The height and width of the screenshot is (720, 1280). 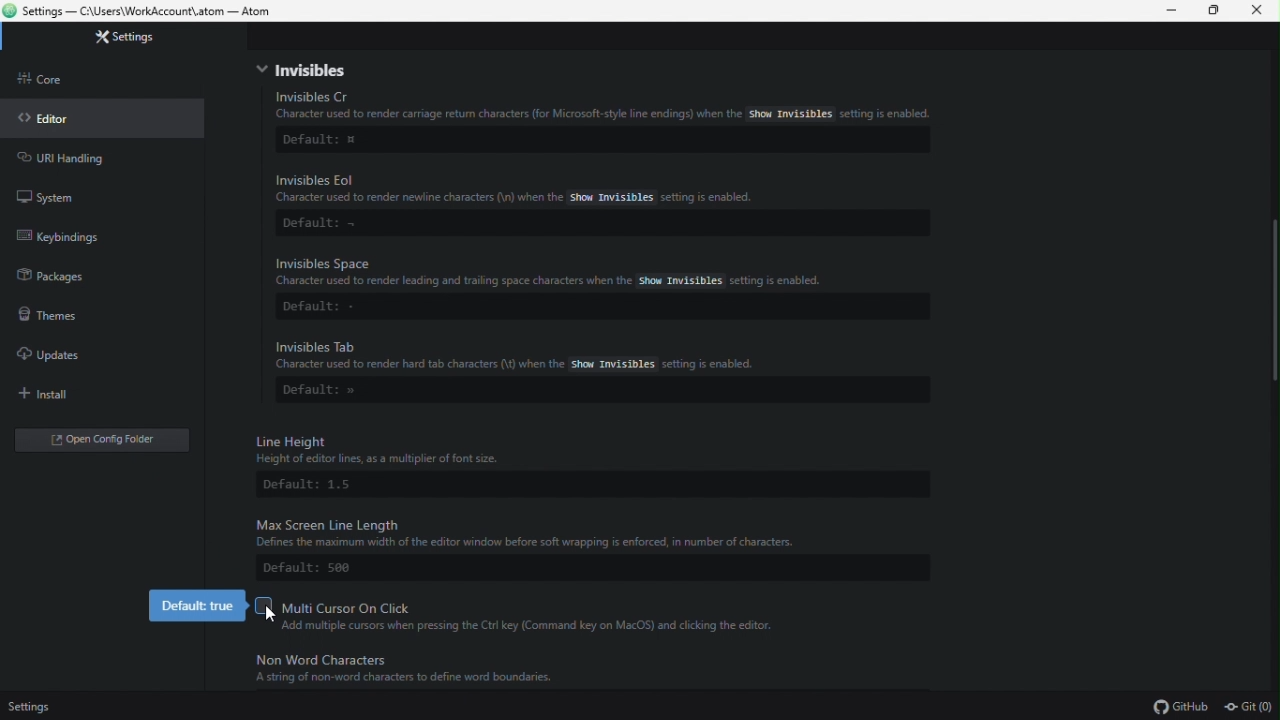 I want to click on System, so click(x=54, y=193).